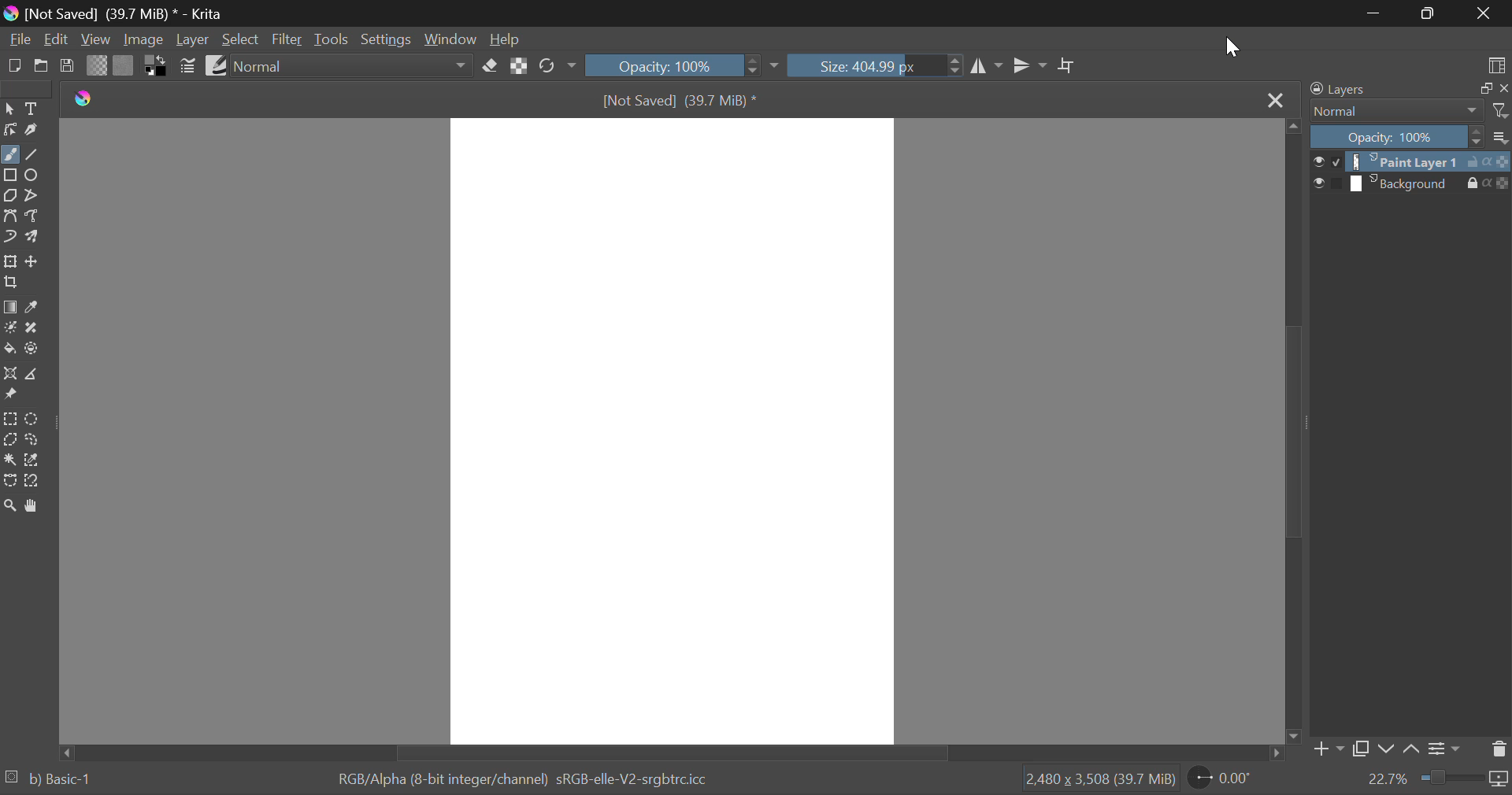 The width and height of the screenshot is (1512, 795). I want to click on Transform a layer, so click(9, 261).